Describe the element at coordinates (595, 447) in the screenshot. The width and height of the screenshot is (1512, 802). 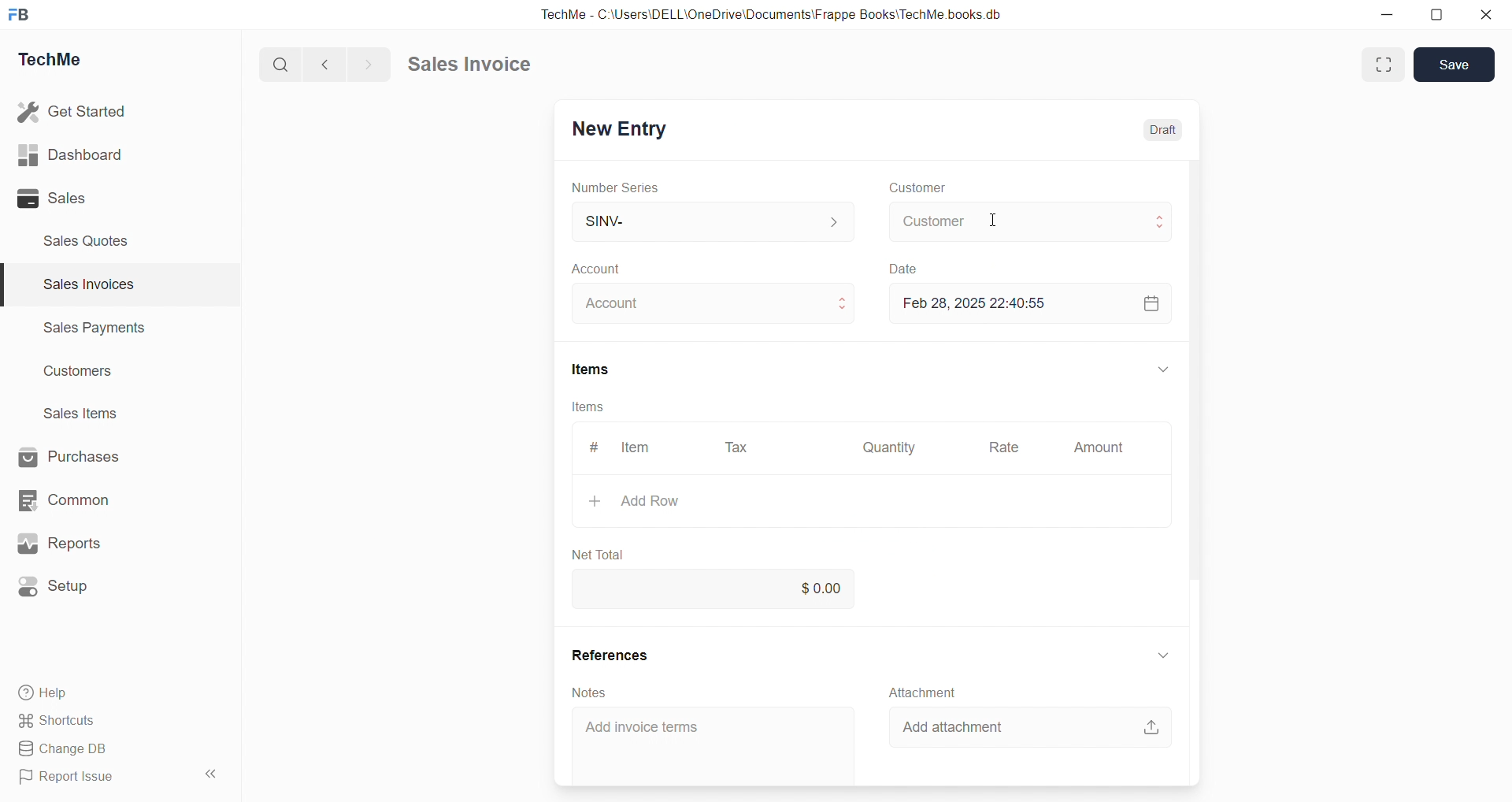
I see `#` at that location.